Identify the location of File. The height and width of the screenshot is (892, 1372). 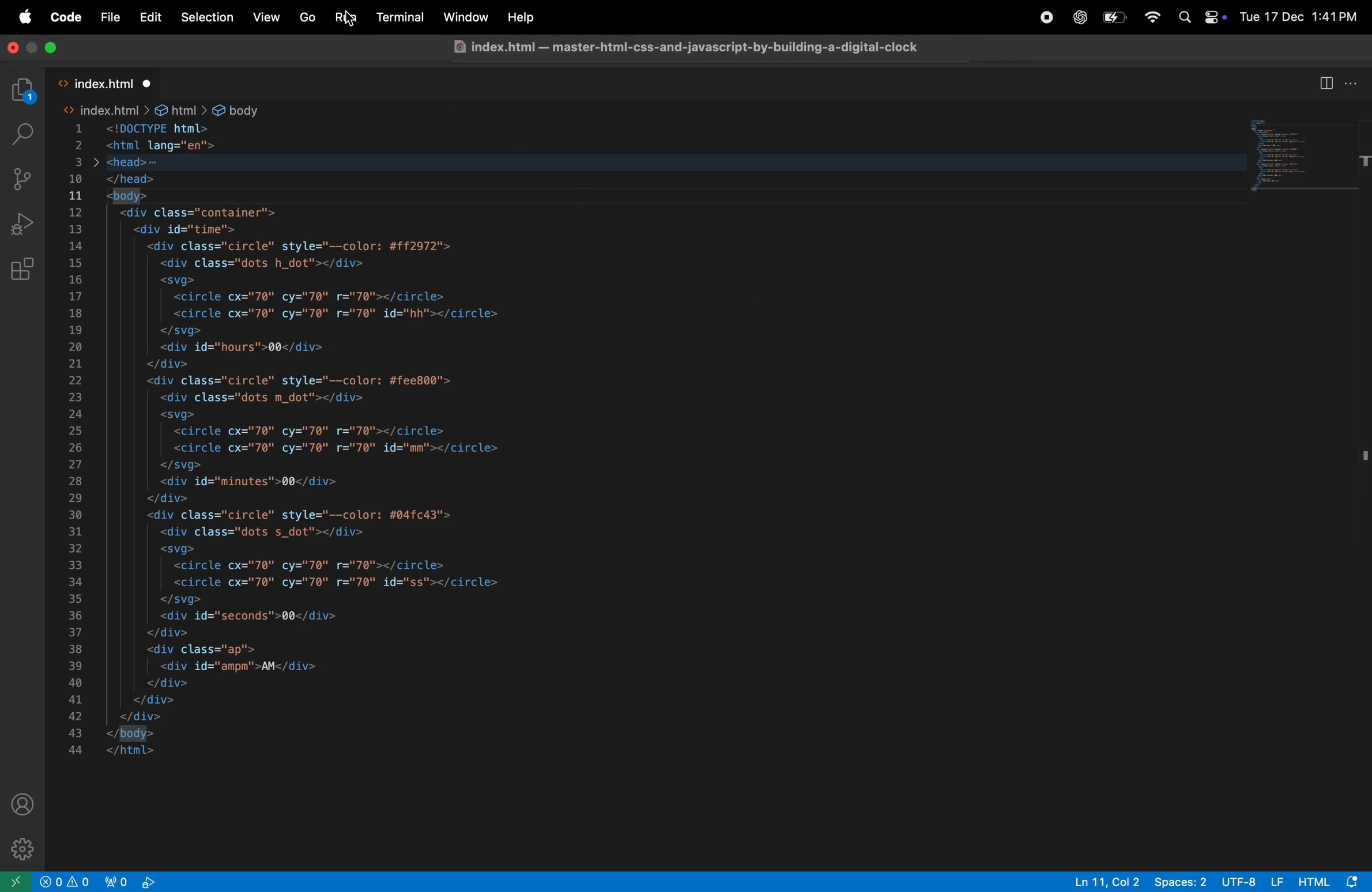
(110, 18).